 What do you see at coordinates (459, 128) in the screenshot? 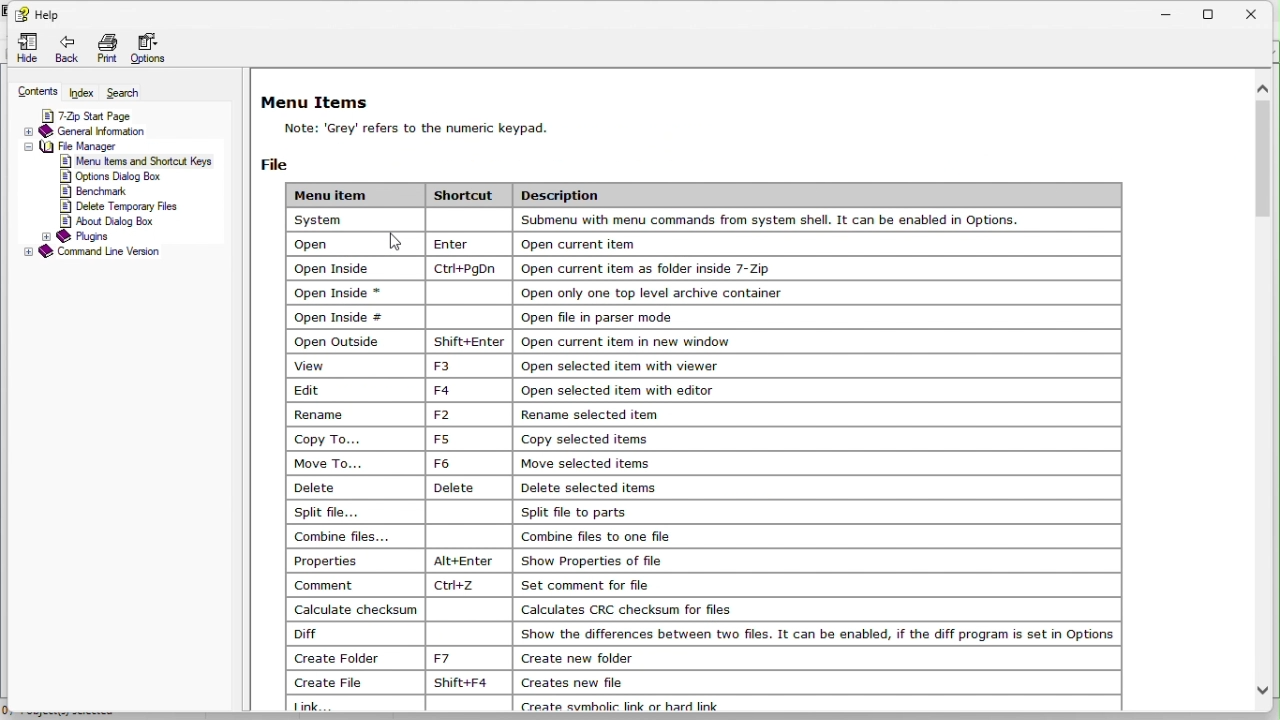
I see `‘Note: 'Grey' refers to the numeric keypad.` at bounding box center [459, 128].